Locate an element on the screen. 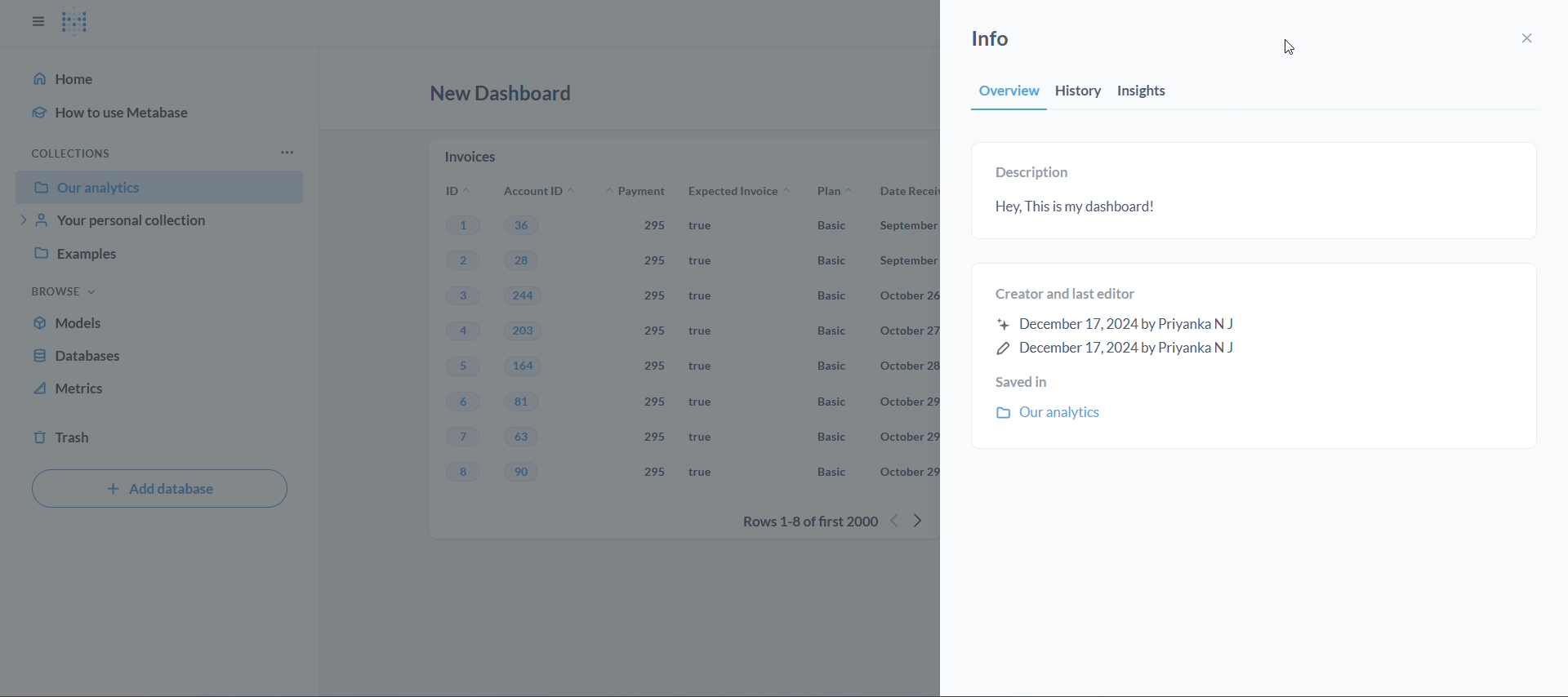  october 27 is located at coordinates (909, 332).